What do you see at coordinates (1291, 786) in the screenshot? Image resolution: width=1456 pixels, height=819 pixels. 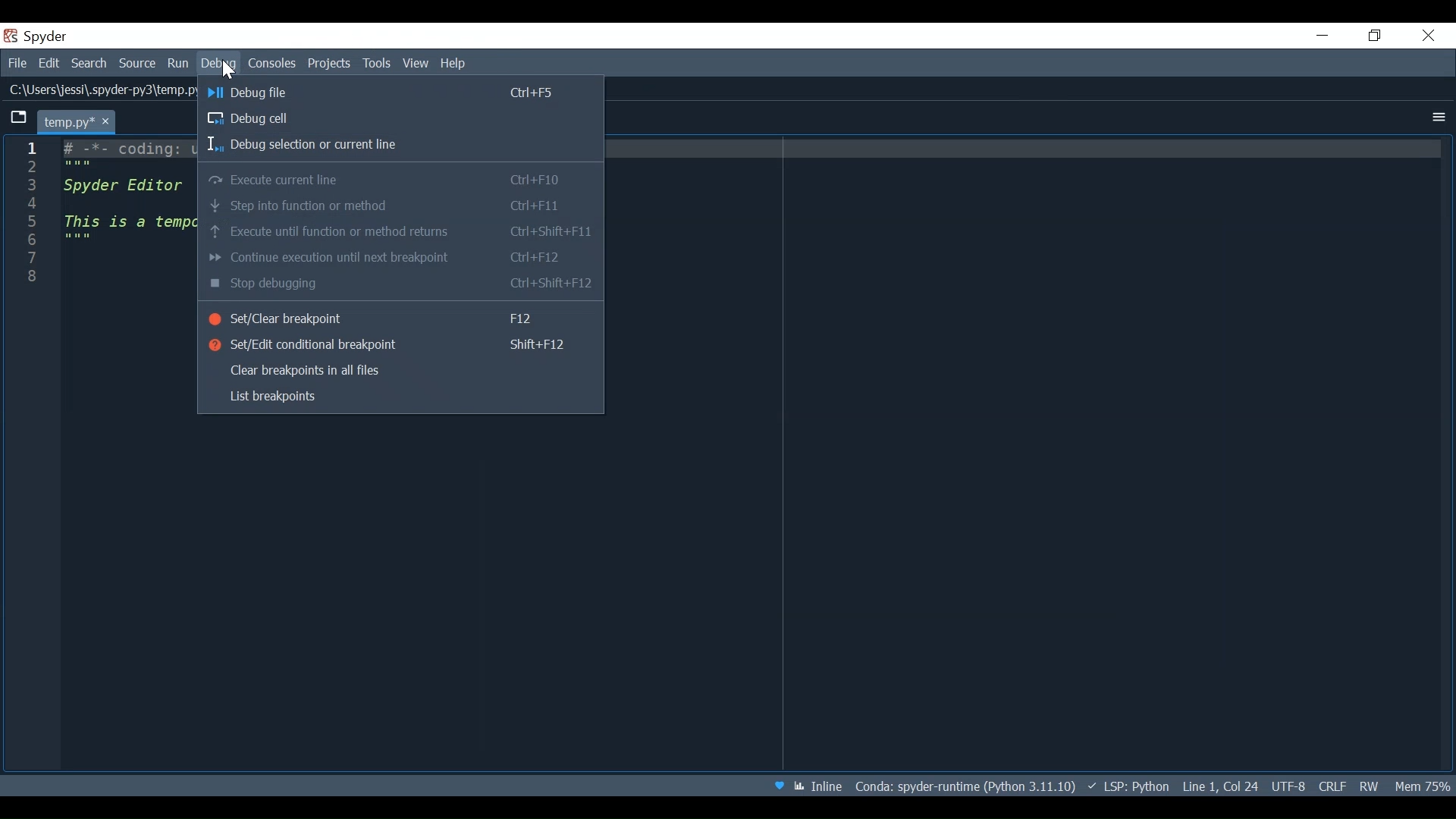 I see `File Encoding` at bounding box center [1291, 786].